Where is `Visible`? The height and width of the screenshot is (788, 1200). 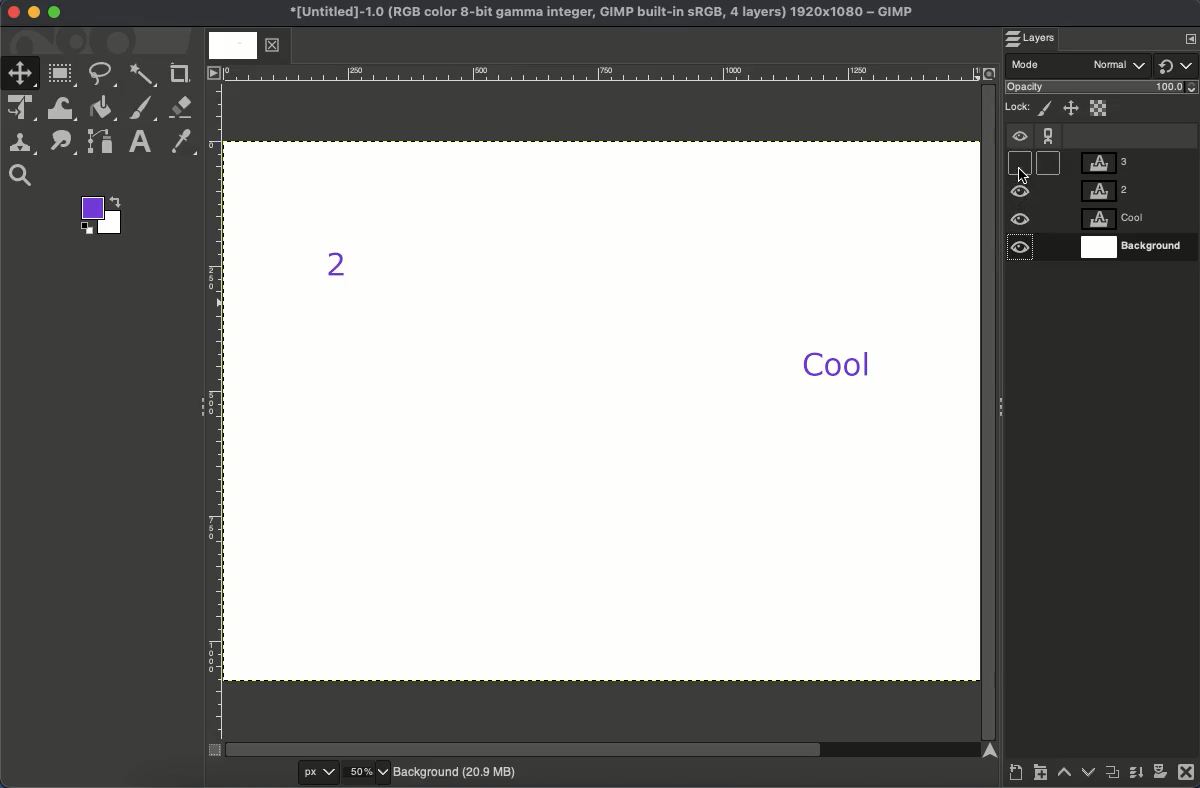 Visible is located at coordinates (1018, 140).